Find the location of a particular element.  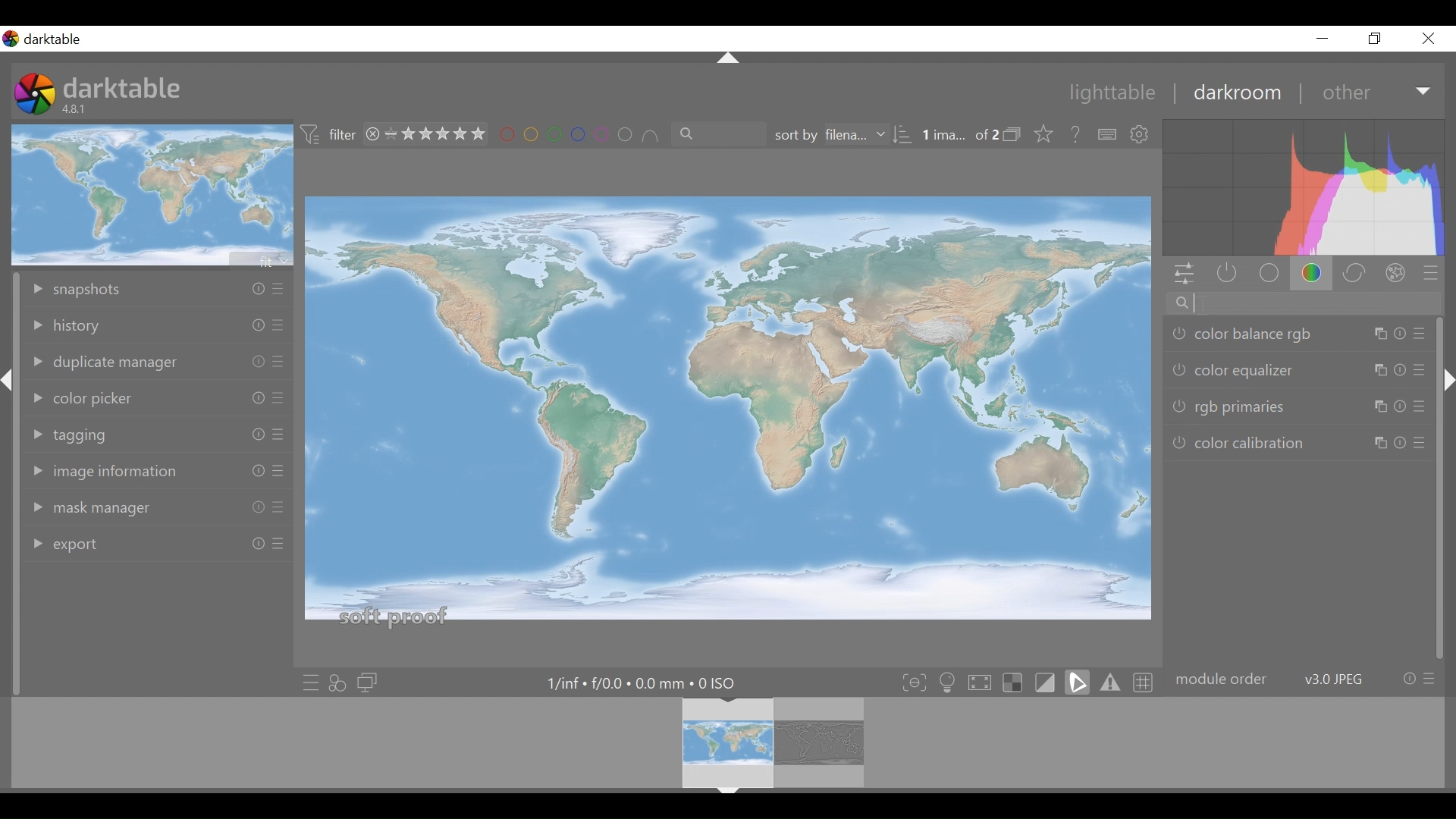

close is located at coordinates (1427, 39).